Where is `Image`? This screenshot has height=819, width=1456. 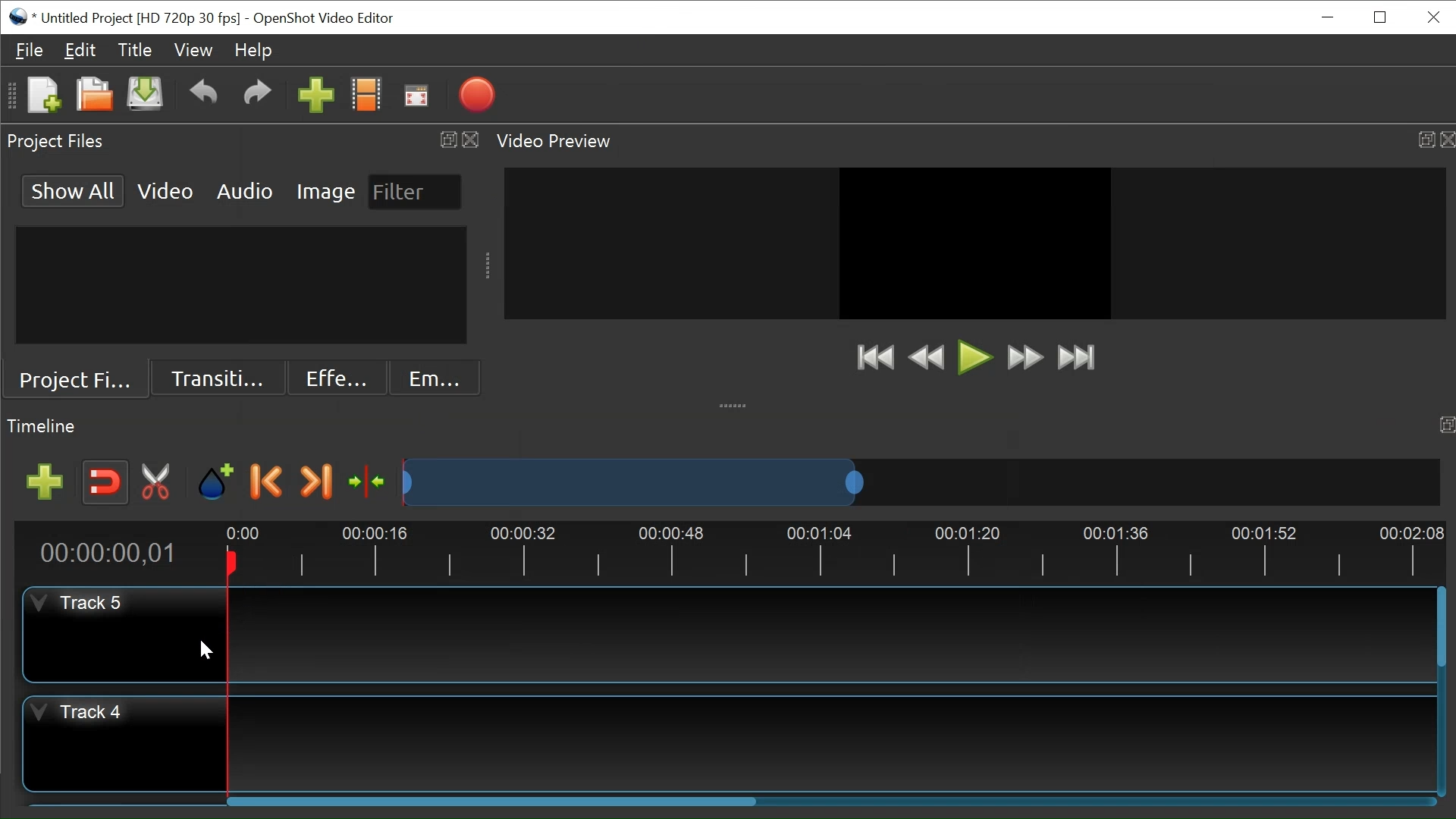 Image is located at coordinates (327, 190).